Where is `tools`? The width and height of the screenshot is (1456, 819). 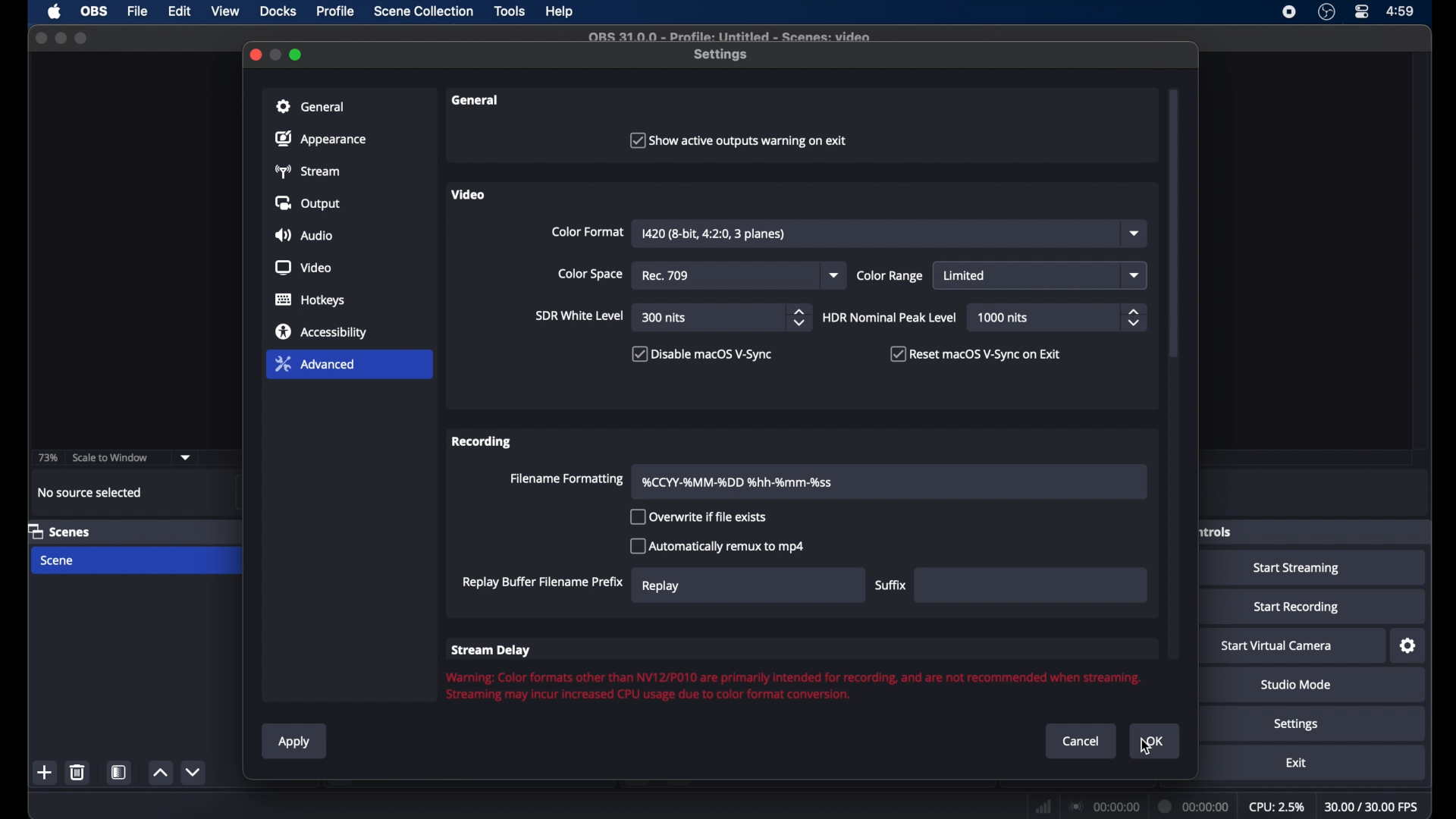 tools is located at coordinates (510, 11).